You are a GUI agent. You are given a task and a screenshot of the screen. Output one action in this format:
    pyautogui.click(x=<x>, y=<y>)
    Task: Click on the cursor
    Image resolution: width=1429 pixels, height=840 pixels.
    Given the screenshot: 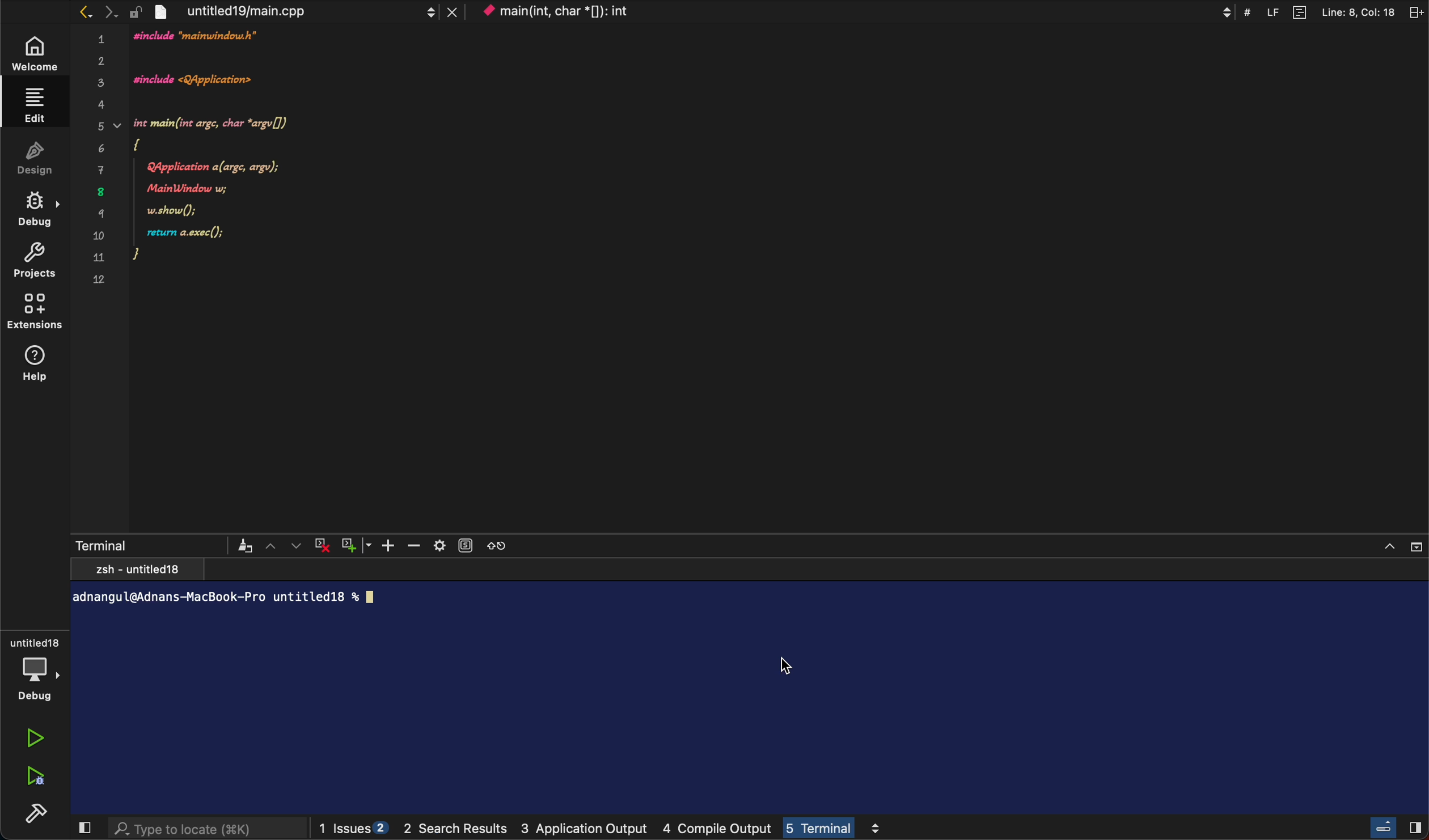 What is the action you would take?
    pyautogui.click(x=789, y=661)
    